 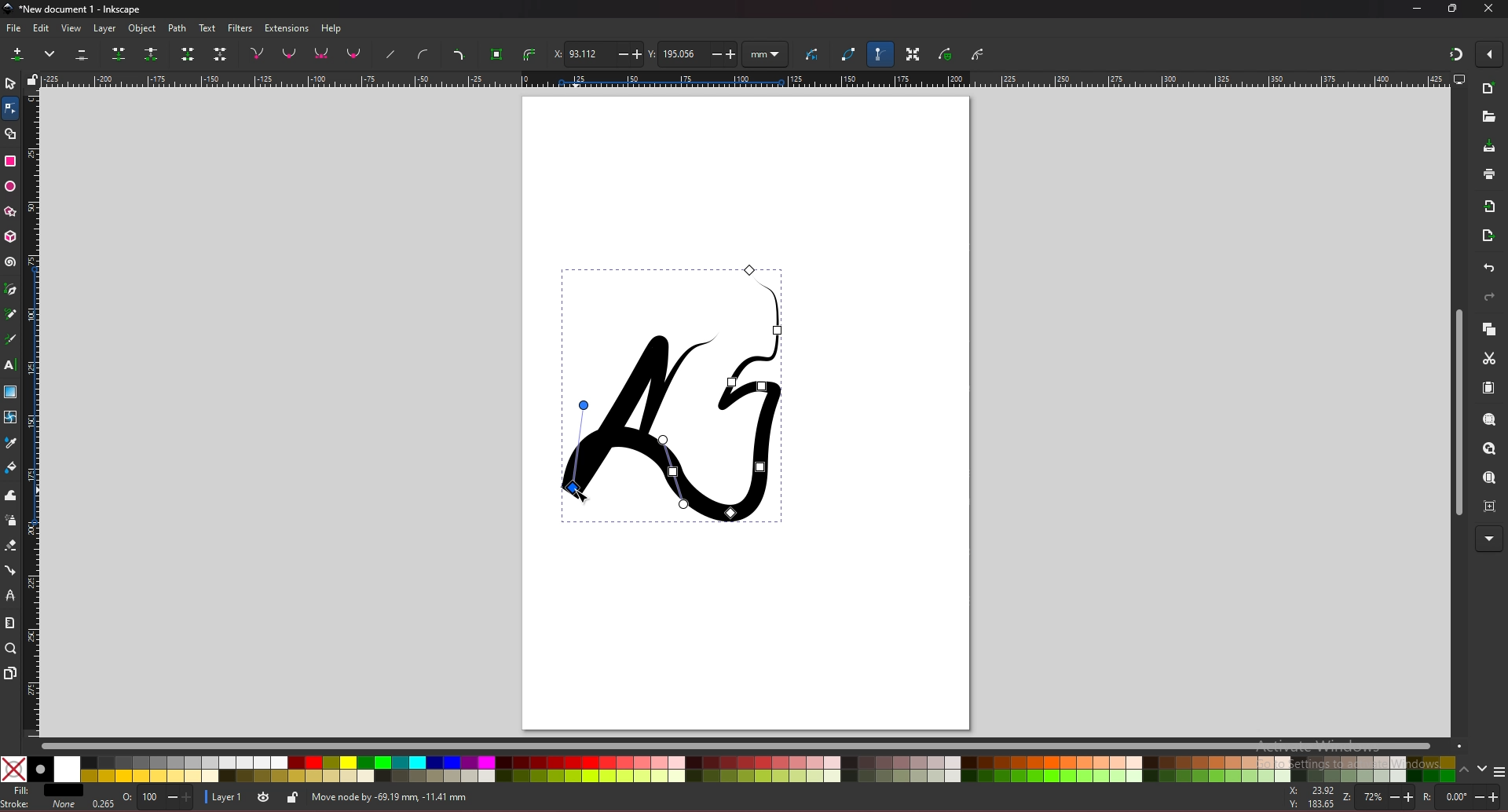 What do you see at coordinates (390, 55) in the screenshot?
I see `straighten line` at bounding box center [390, 55].